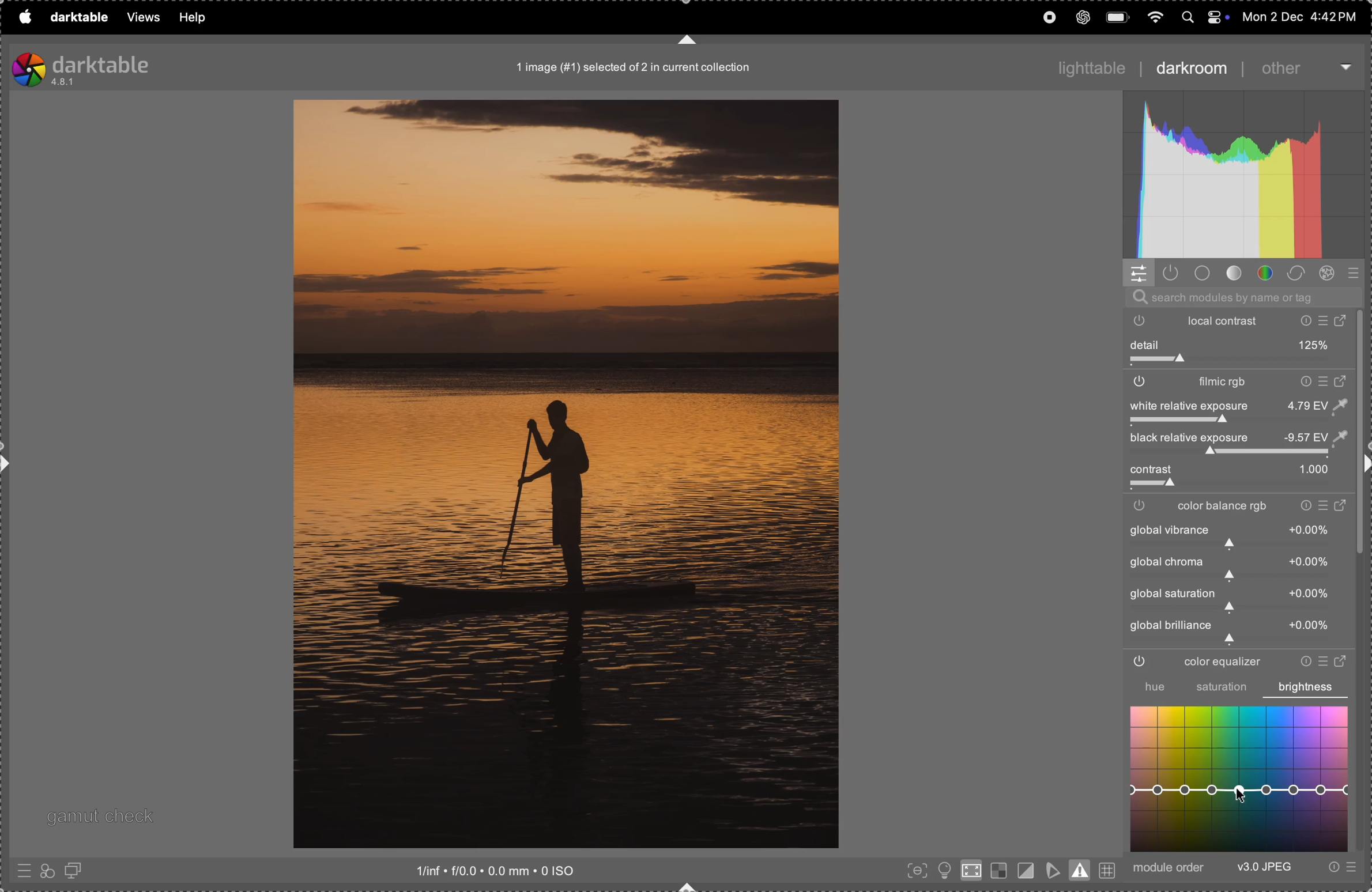 The height and width of the screenshot is (892, 1372). Describe the element at coordinates (1239, 796) in the screenshot. I see `cursor` at that location.